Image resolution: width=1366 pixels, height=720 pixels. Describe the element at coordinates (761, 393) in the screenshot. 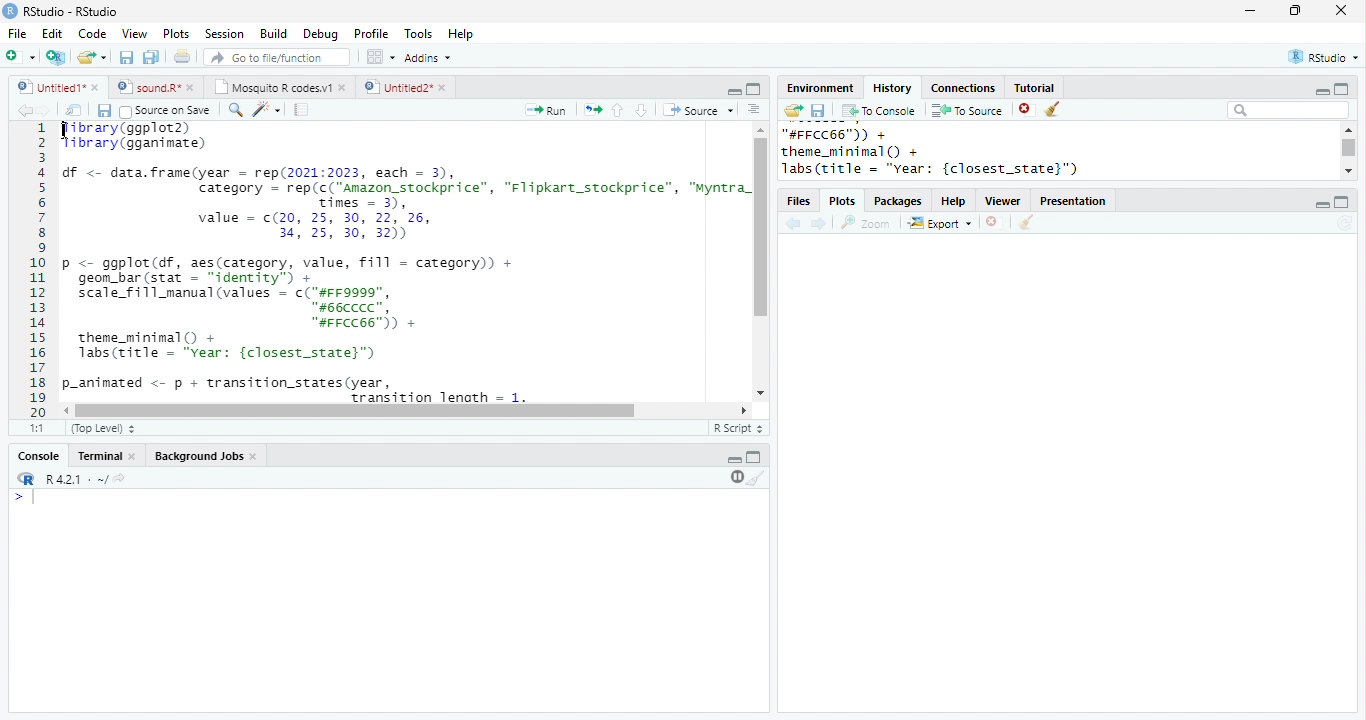

I see `scroll down` at that location.